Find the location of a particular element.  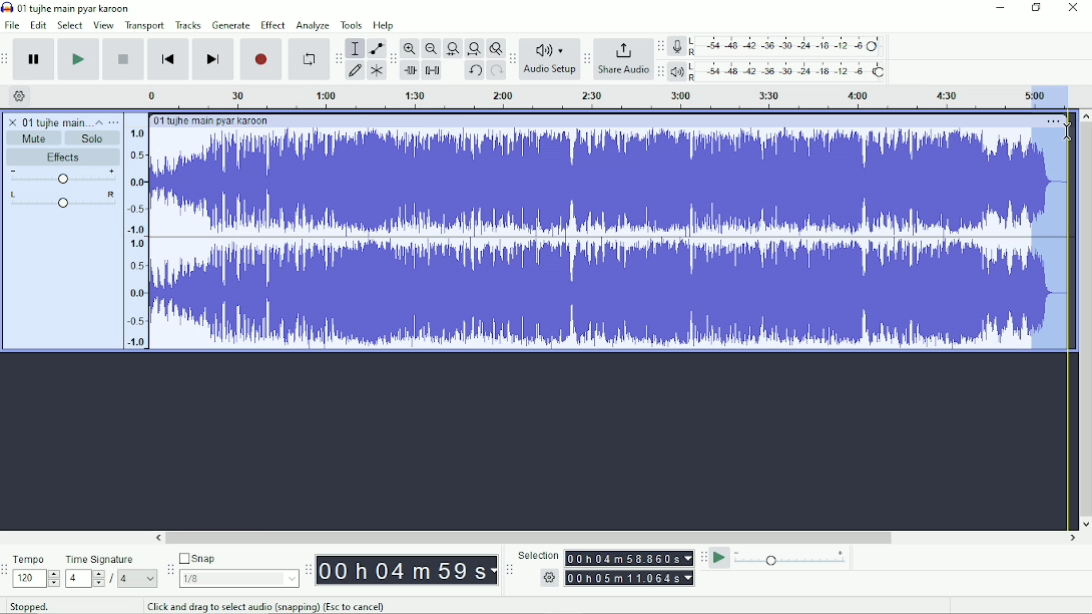

Pause is located at coordinates (34, 59).